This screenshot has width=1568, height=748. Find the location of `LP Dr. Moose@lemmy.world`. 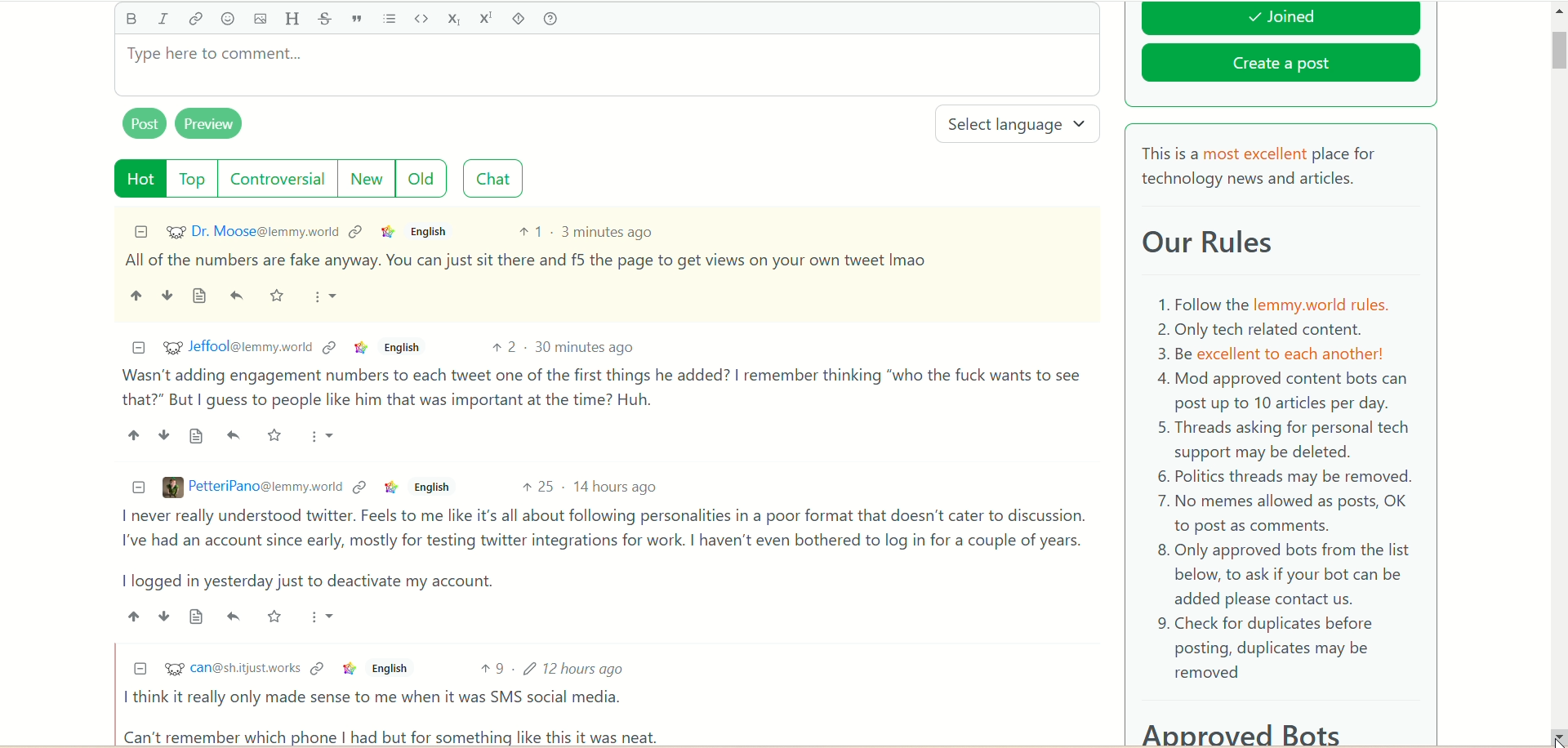

LP Dr. Moose@lemmy.world is located at coordinates (252, 231).